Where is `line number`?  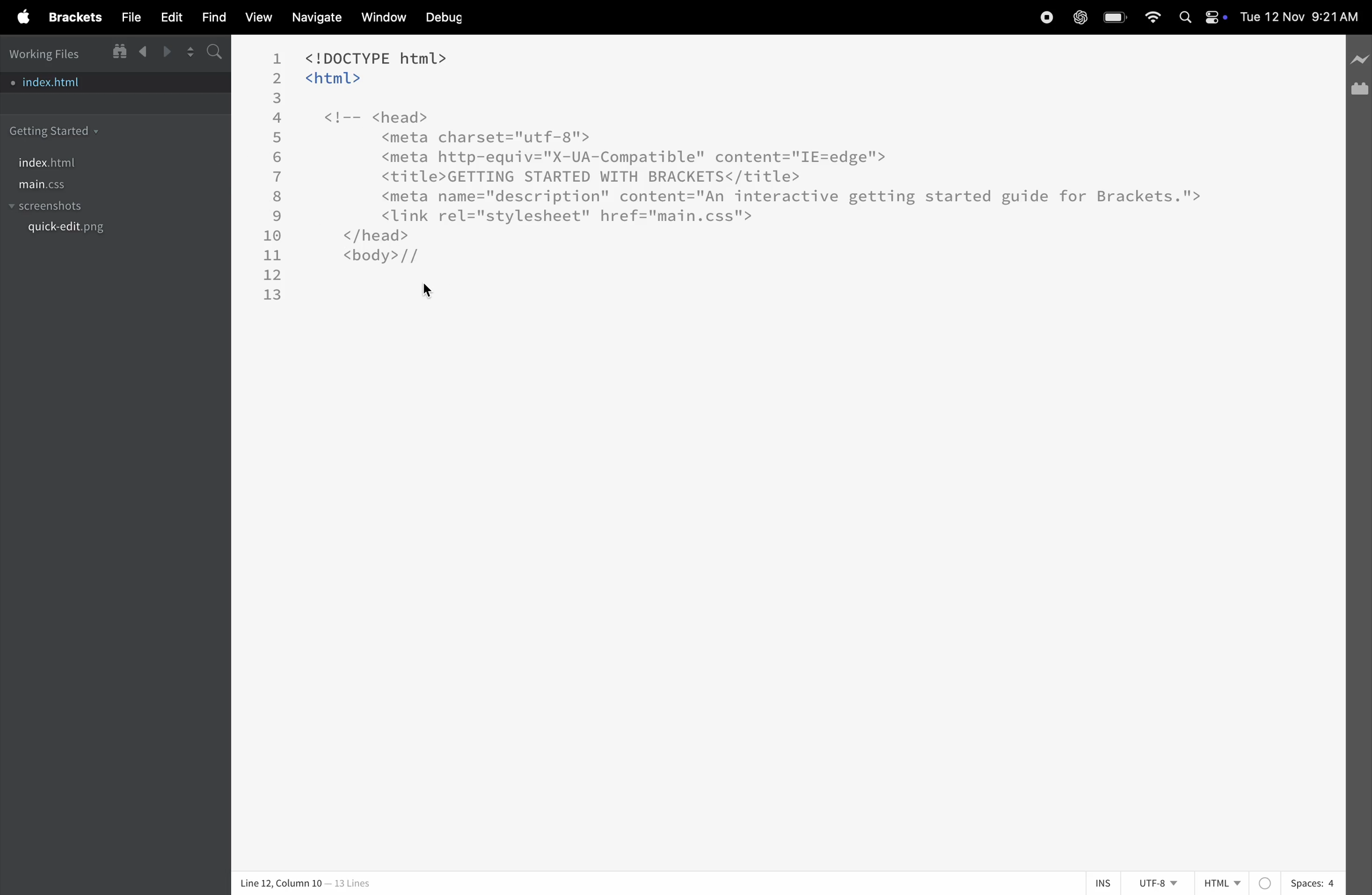 line number is located at coordinates (271, 177).